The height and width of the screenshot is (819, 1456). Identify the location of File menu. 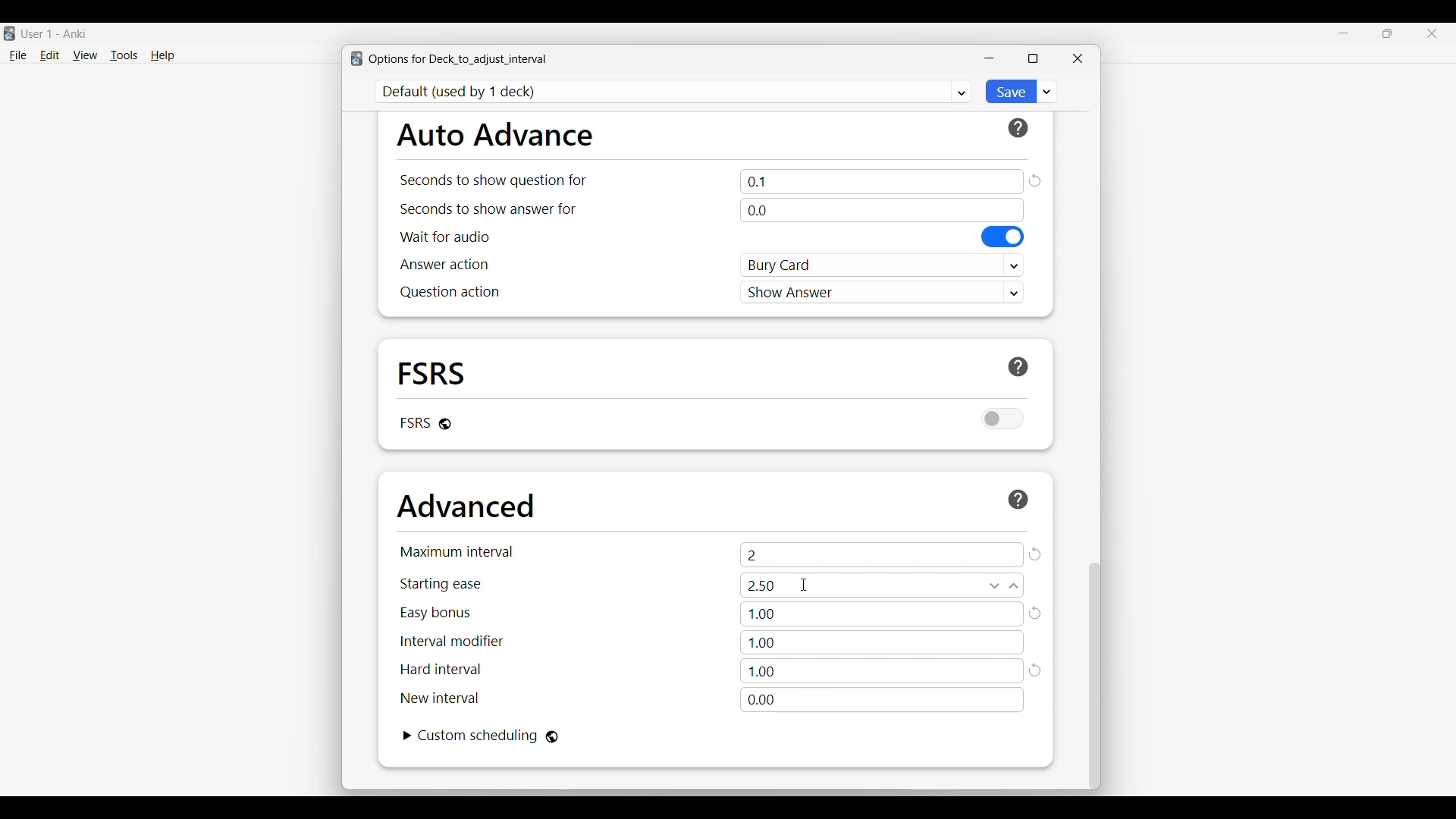
(17, 56).